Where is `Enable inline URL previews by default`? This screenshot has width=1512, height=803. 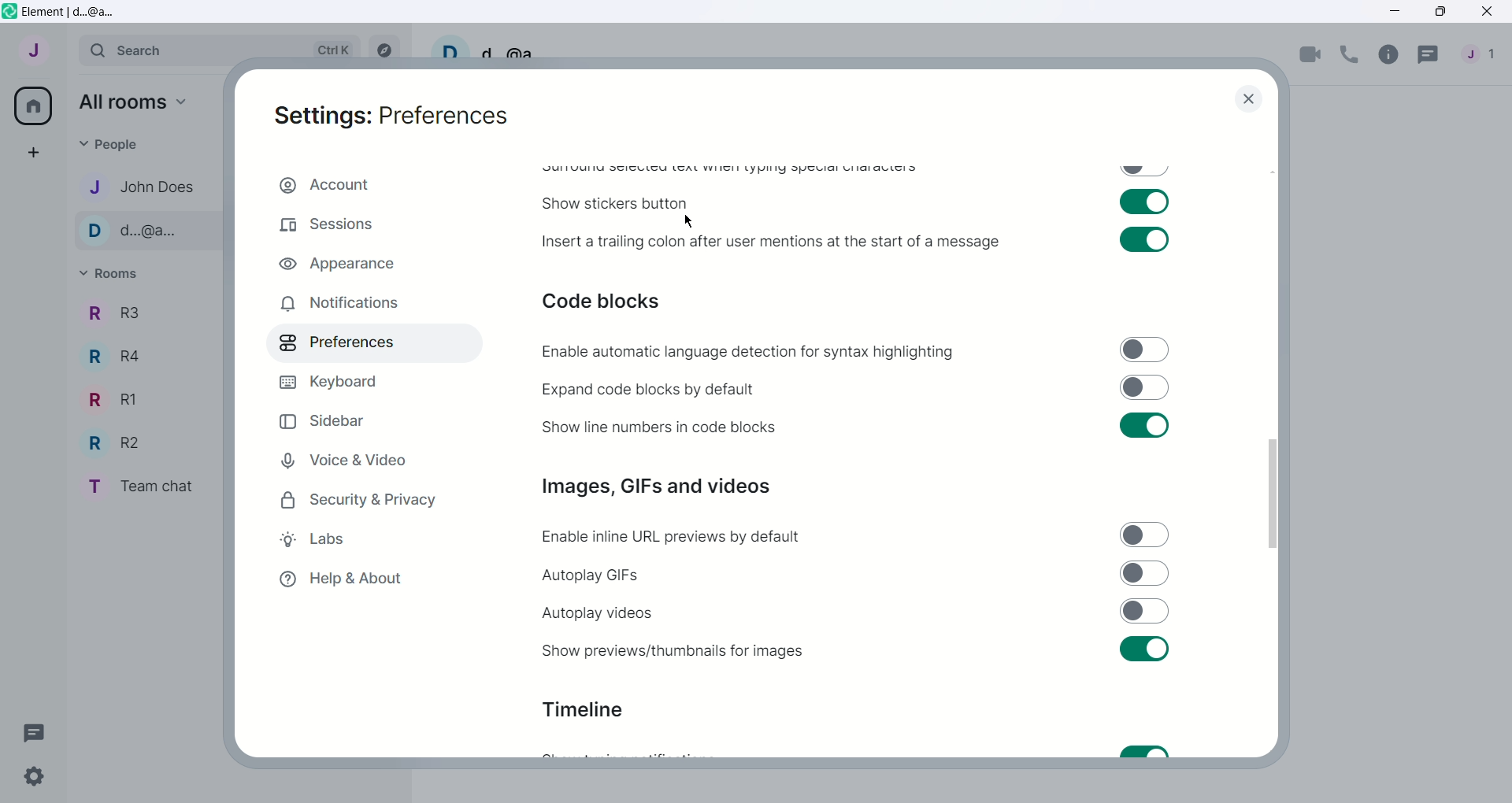
Enable inline URL previews by default is located at coordinates (673, 537).